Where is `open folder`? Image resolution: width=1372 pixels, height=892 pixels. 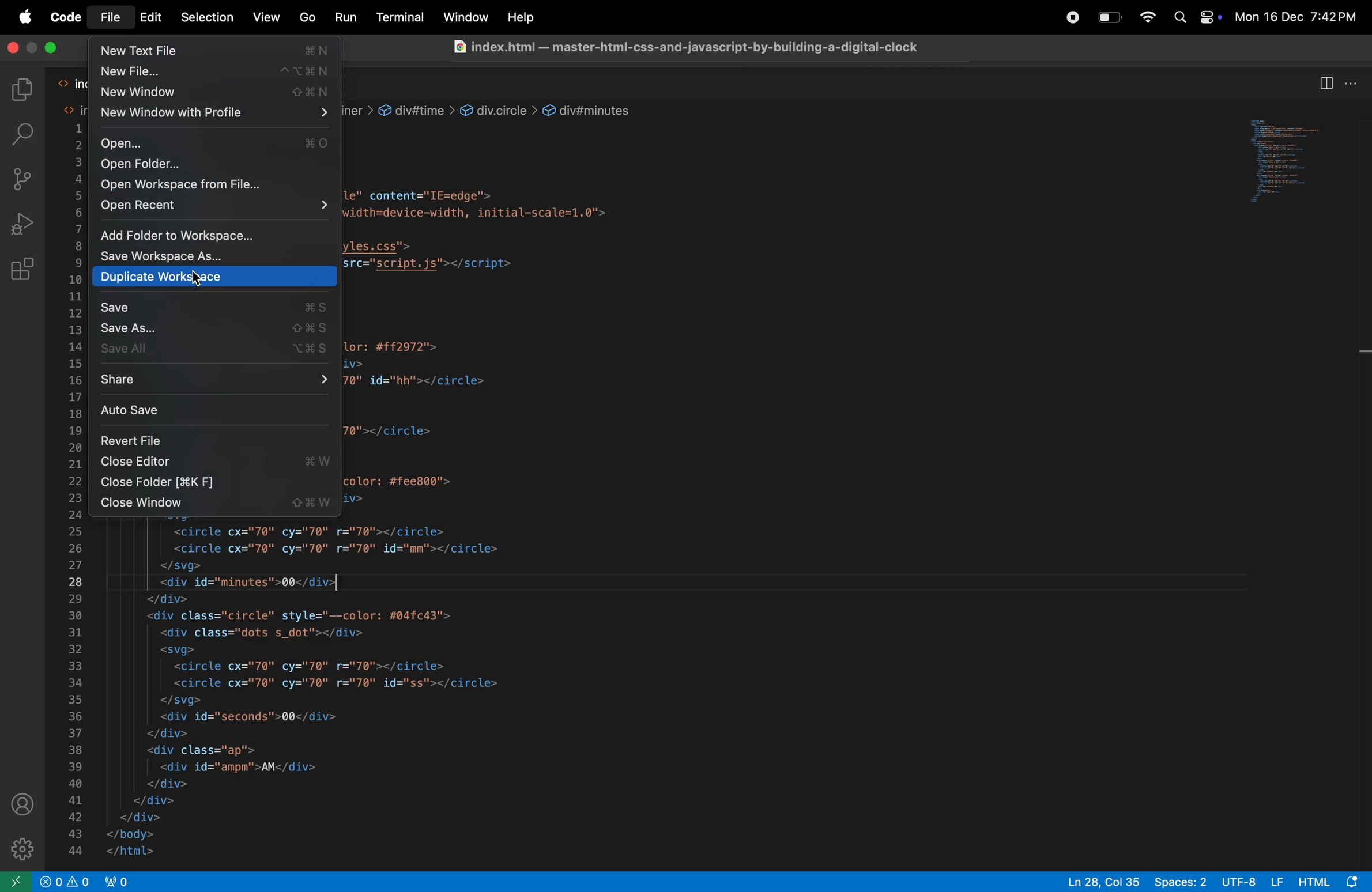
open folder is located at coordinates (212, 164).